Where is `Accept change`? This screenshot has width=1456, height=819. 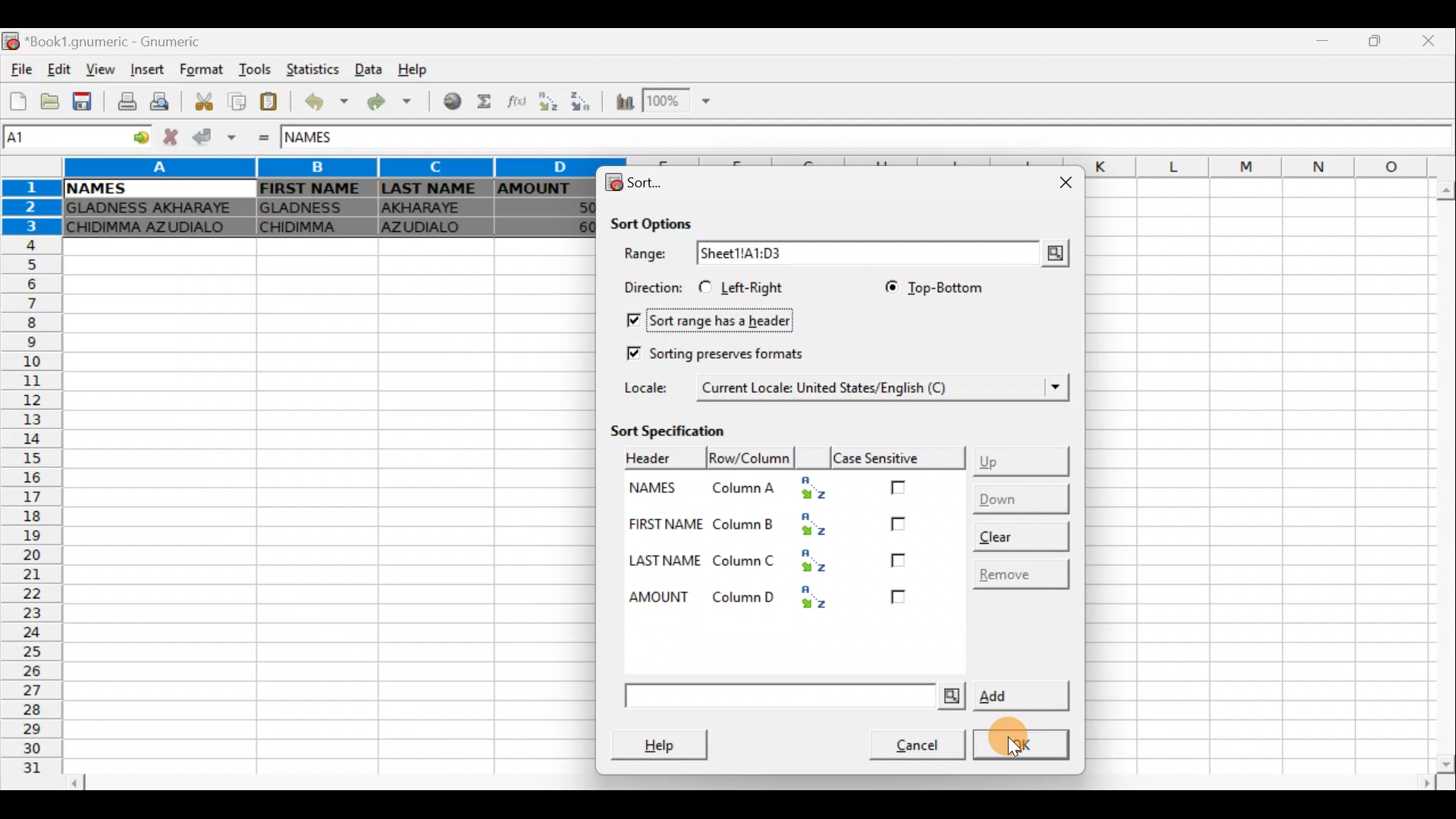
Accept change is located at coordinates (212, 137).